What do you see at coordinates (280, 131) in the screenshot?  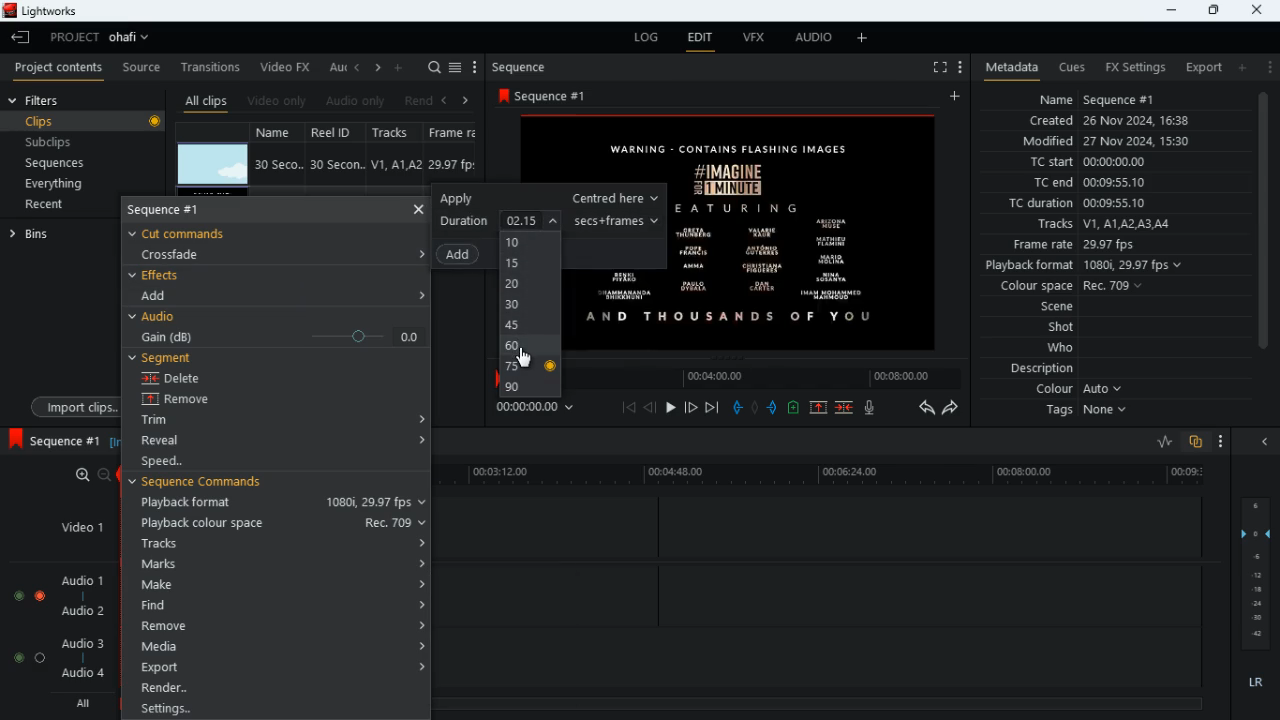 I see `name` at bounding box center [280, 131].